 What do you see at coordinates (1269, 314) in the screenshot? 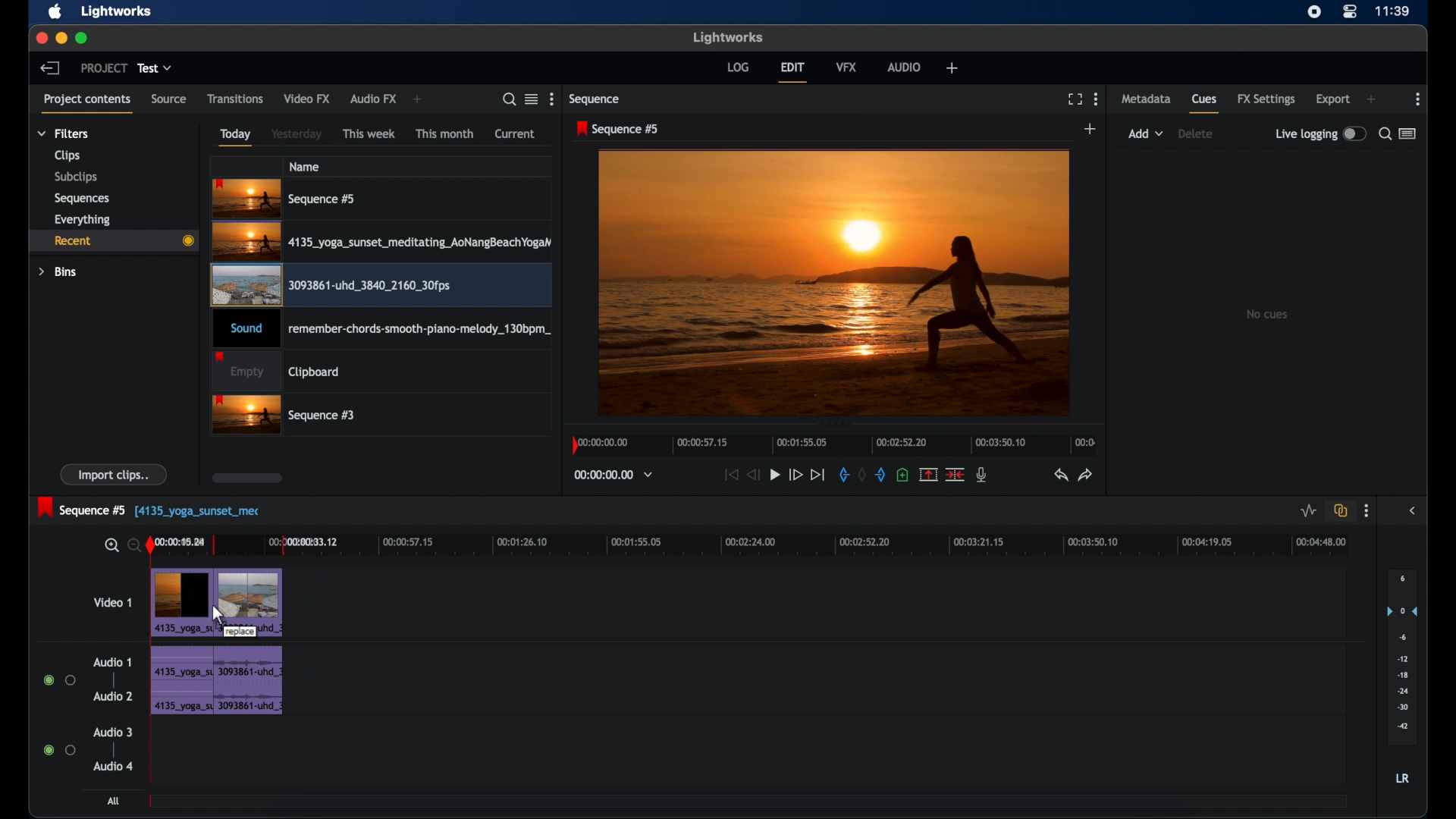
I see `no cues` at bounding box center [1269, 314].